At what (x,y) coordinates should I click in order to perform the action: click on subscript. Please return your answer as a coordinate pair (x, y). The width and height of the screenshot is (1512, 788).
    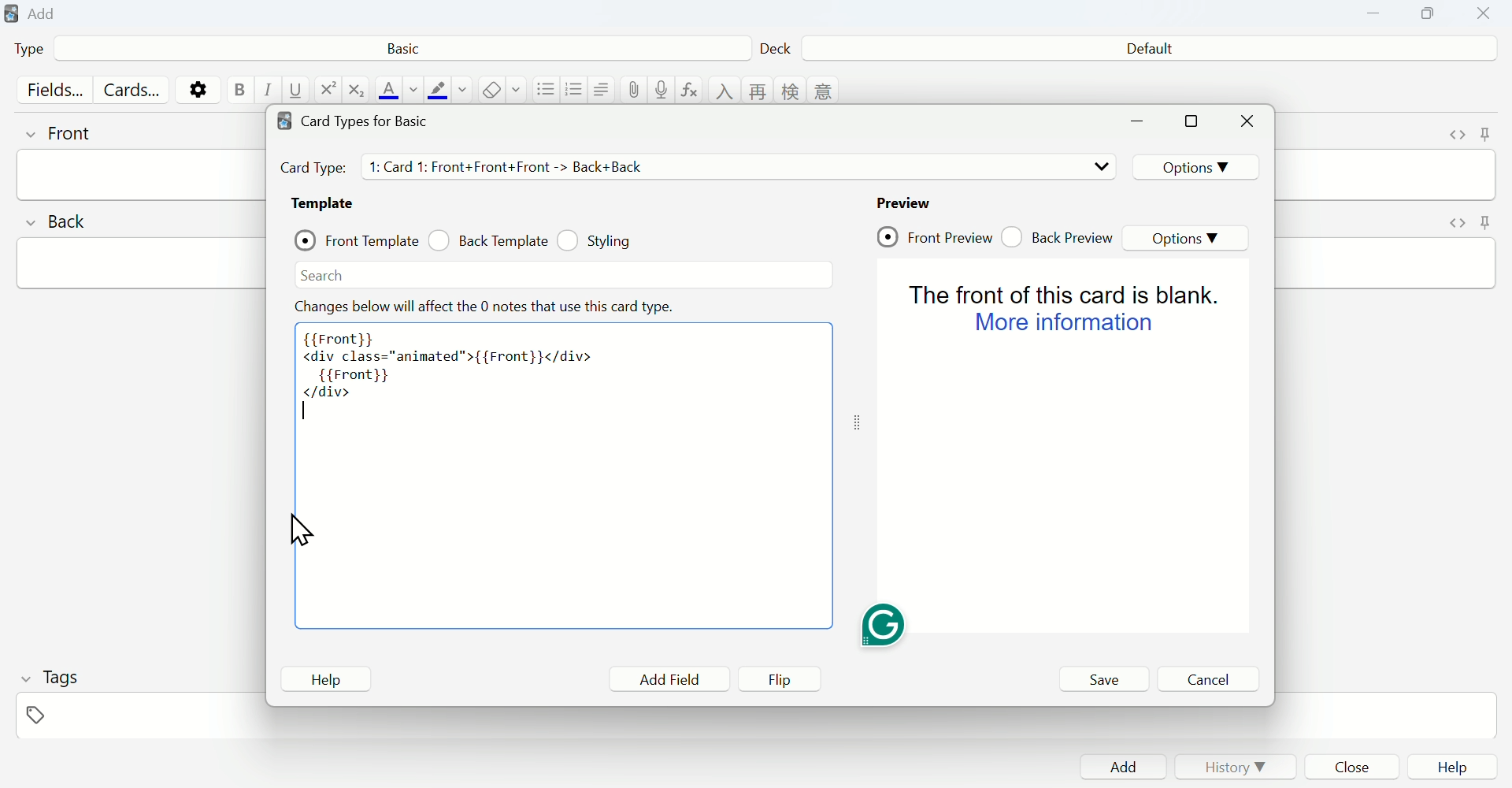
    Looking at the image, I should click on (357, 90).